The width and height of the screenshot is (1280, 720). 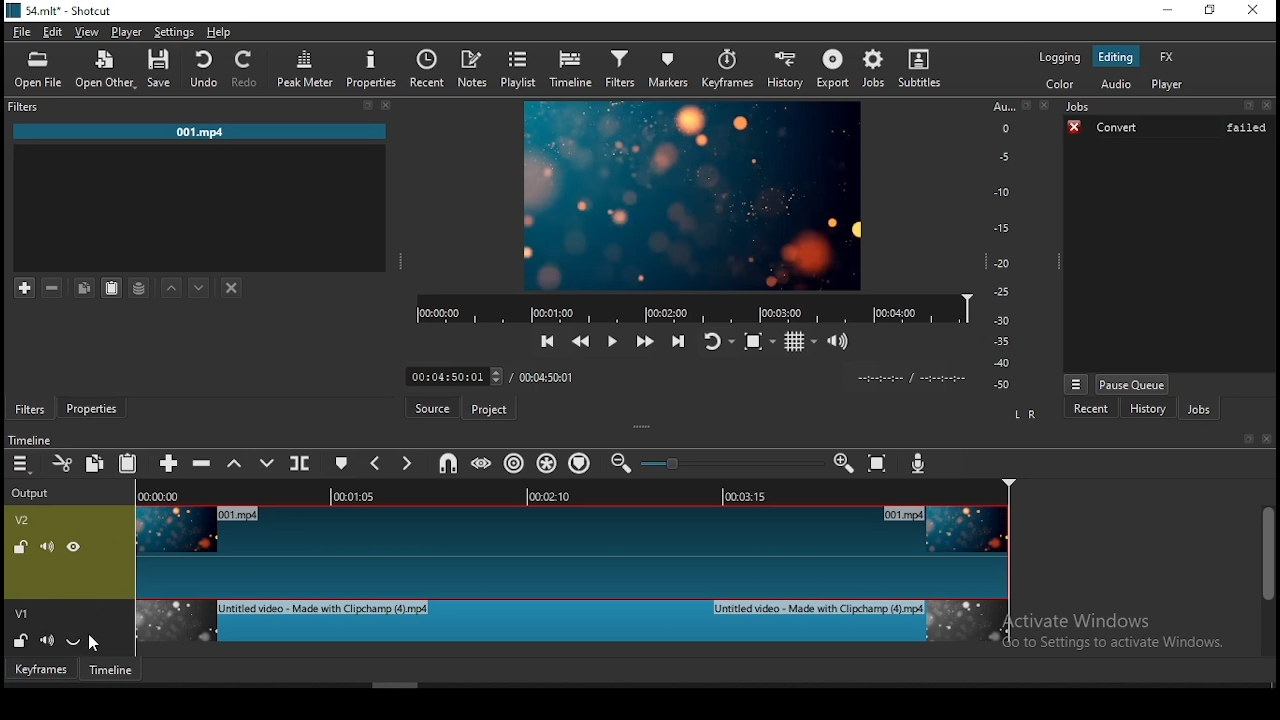 What do you see at coordinates (1116, 56) in the screenshot?
I see `editing` at bounding box center [1116, 56].